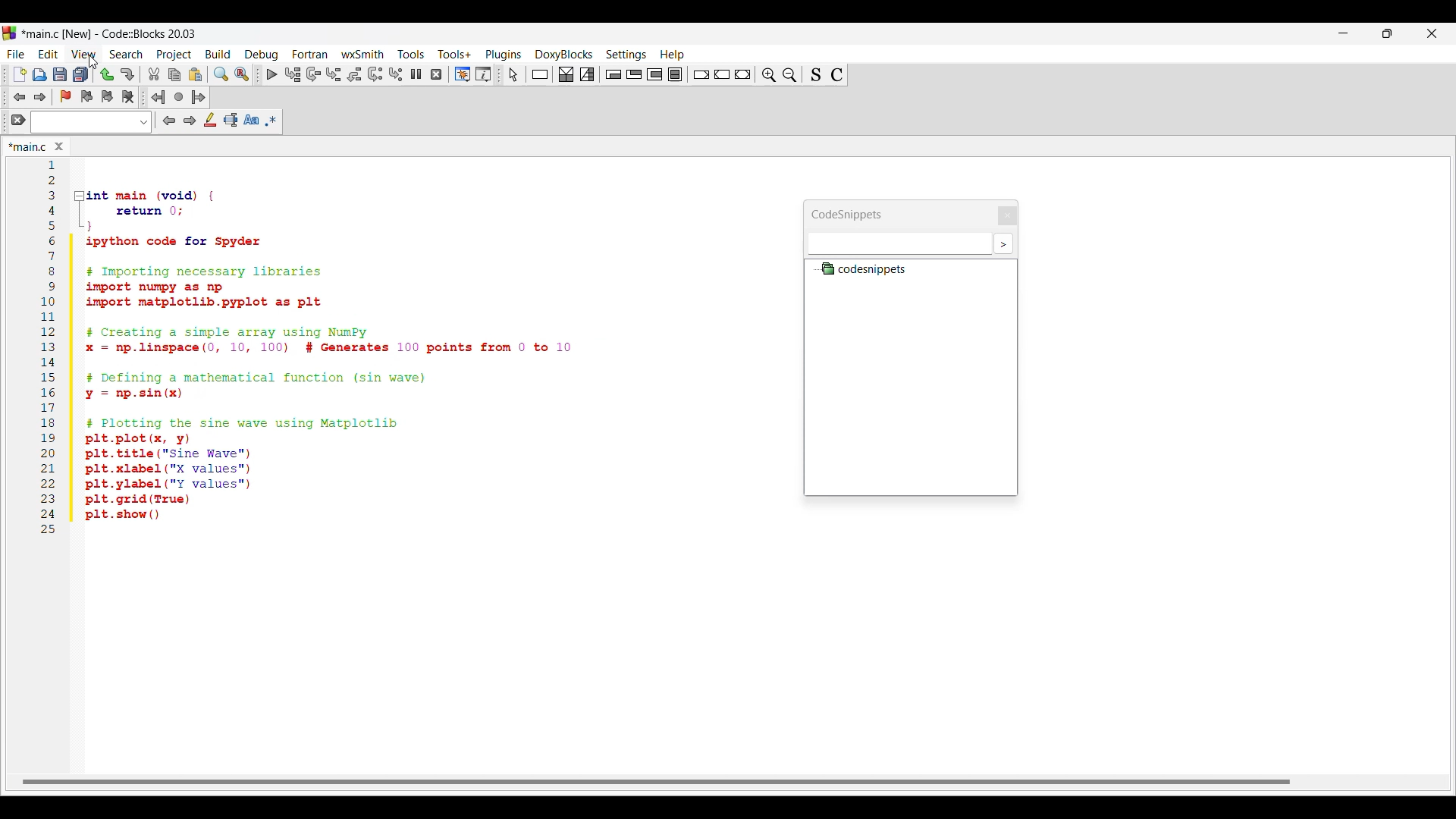  I want to click on Fortran menu, so click(309, 54).